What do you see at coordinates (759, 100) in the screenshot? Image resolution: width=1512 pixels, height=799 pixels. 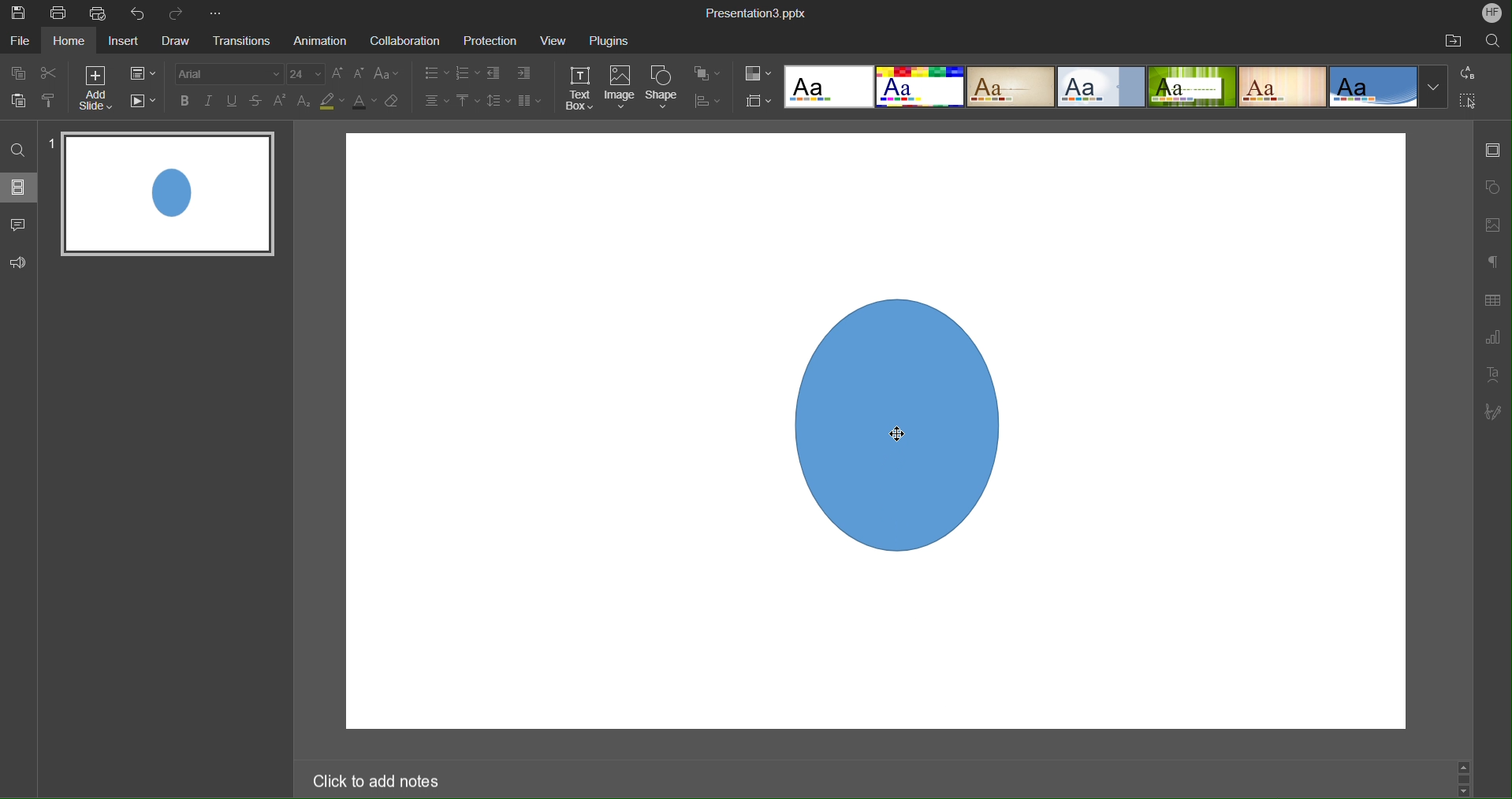 I see `Slide Size` at bounding box center [759, 100].